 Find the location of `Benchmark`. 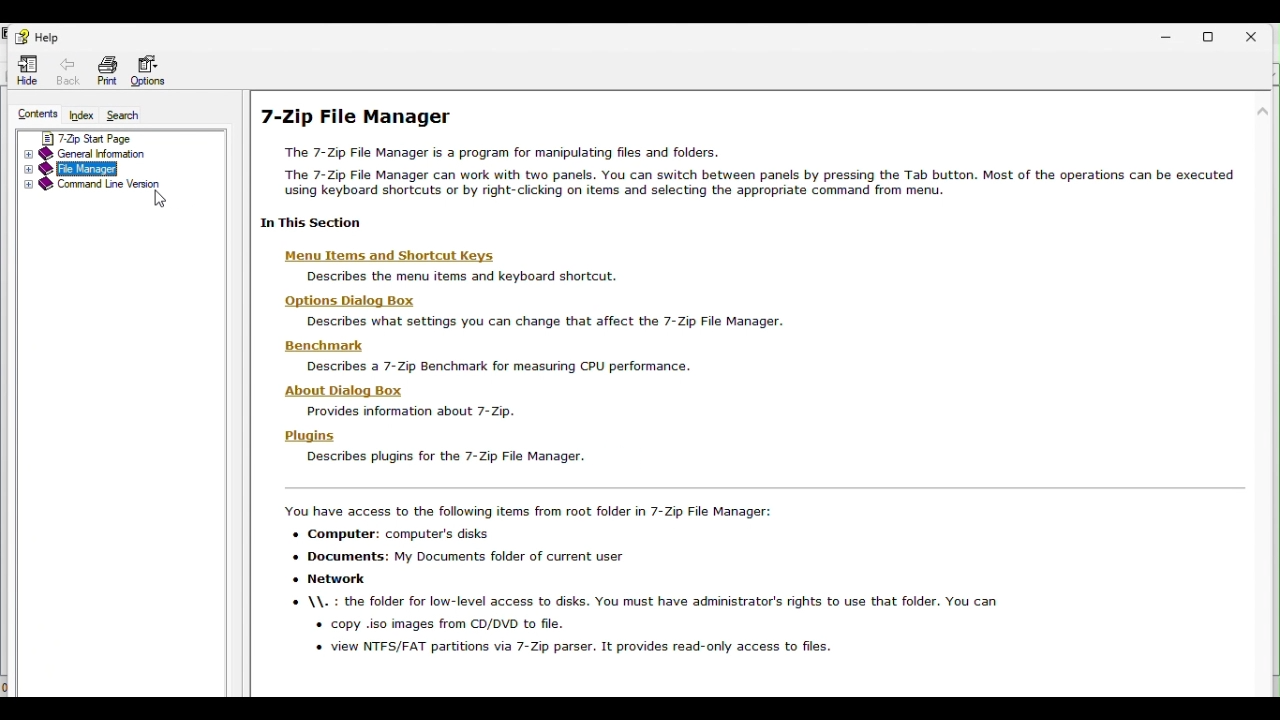

Benchmark is located at coordinates (329, 345).